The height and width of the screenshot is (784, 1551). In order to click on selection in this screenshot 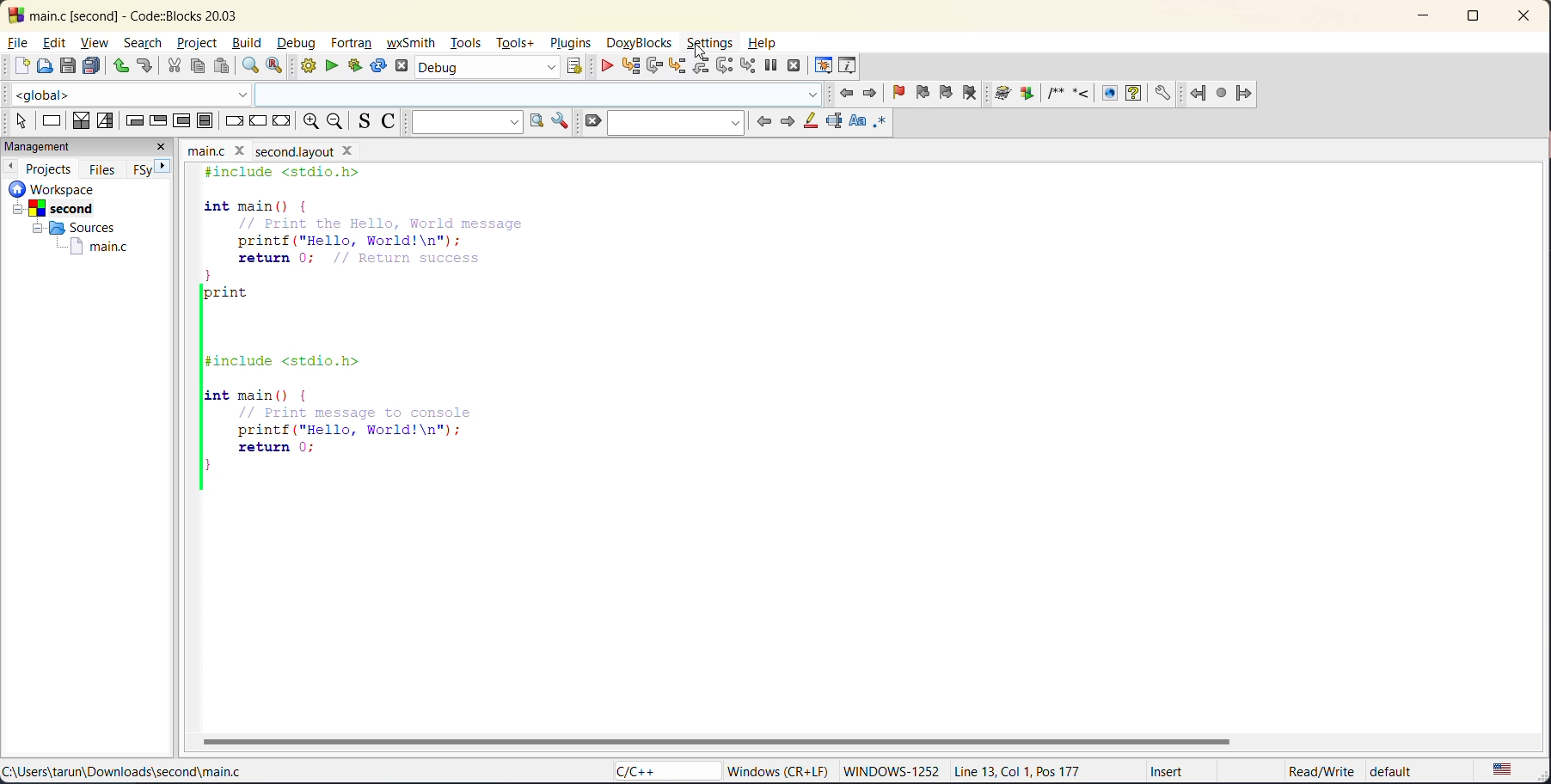, I will do `click(107, 120)`.